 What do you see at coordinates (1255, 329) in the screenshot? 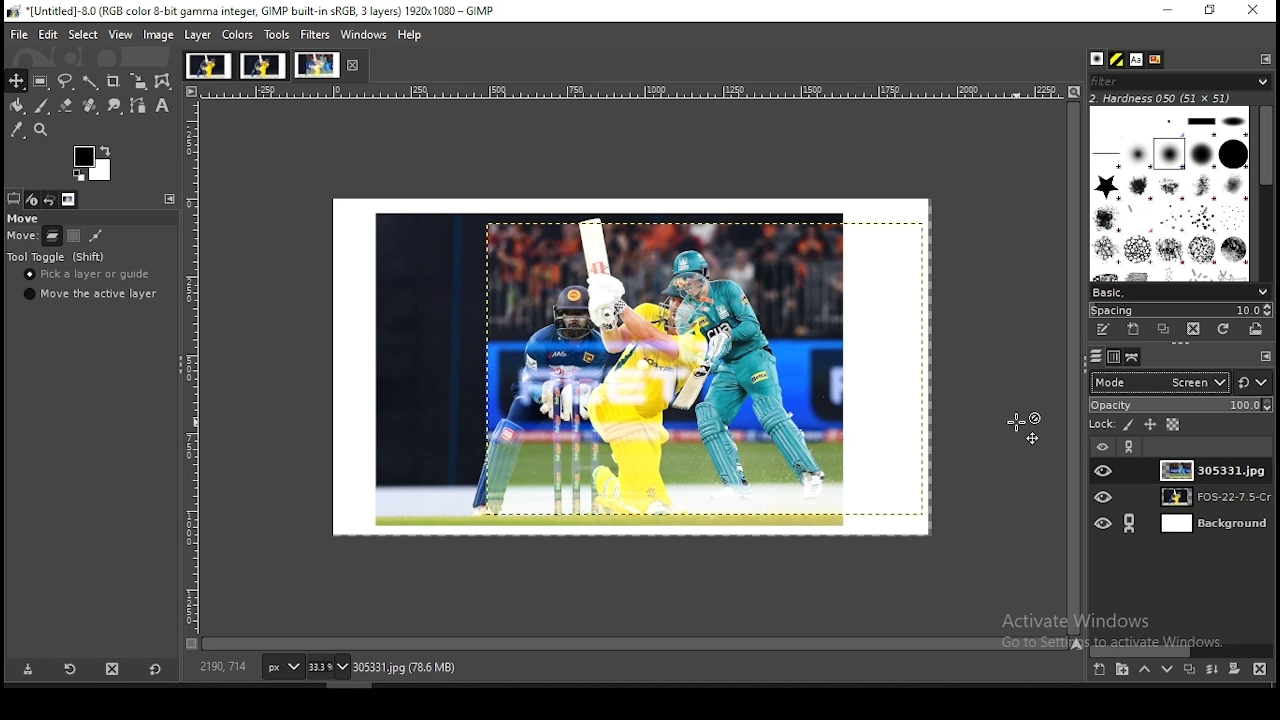
I see `open brush as image` at bounding box center [1255, 329].